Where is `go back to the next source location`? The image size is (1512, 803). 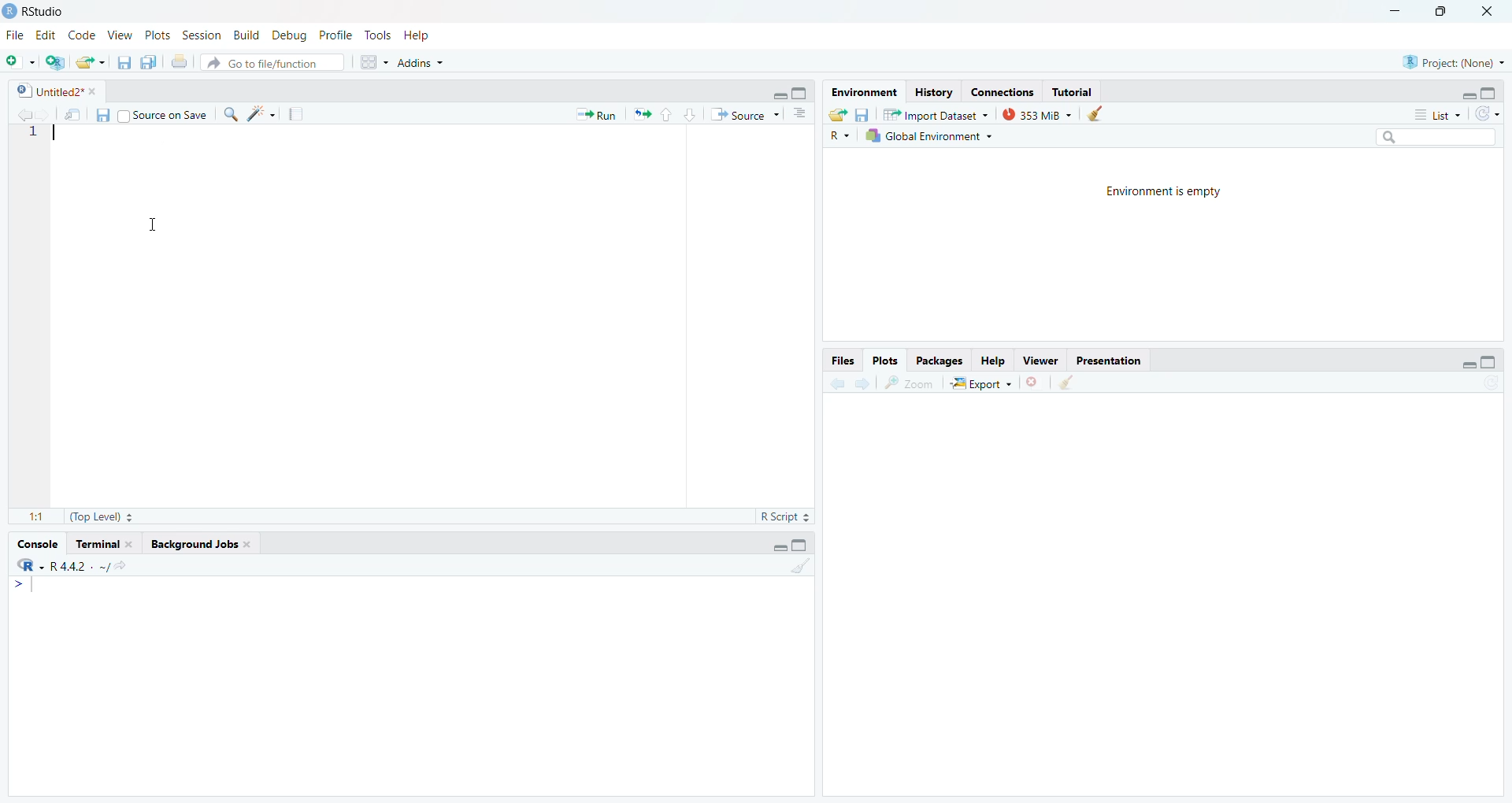 go back to the next source location is located at coordinates (46, 114).